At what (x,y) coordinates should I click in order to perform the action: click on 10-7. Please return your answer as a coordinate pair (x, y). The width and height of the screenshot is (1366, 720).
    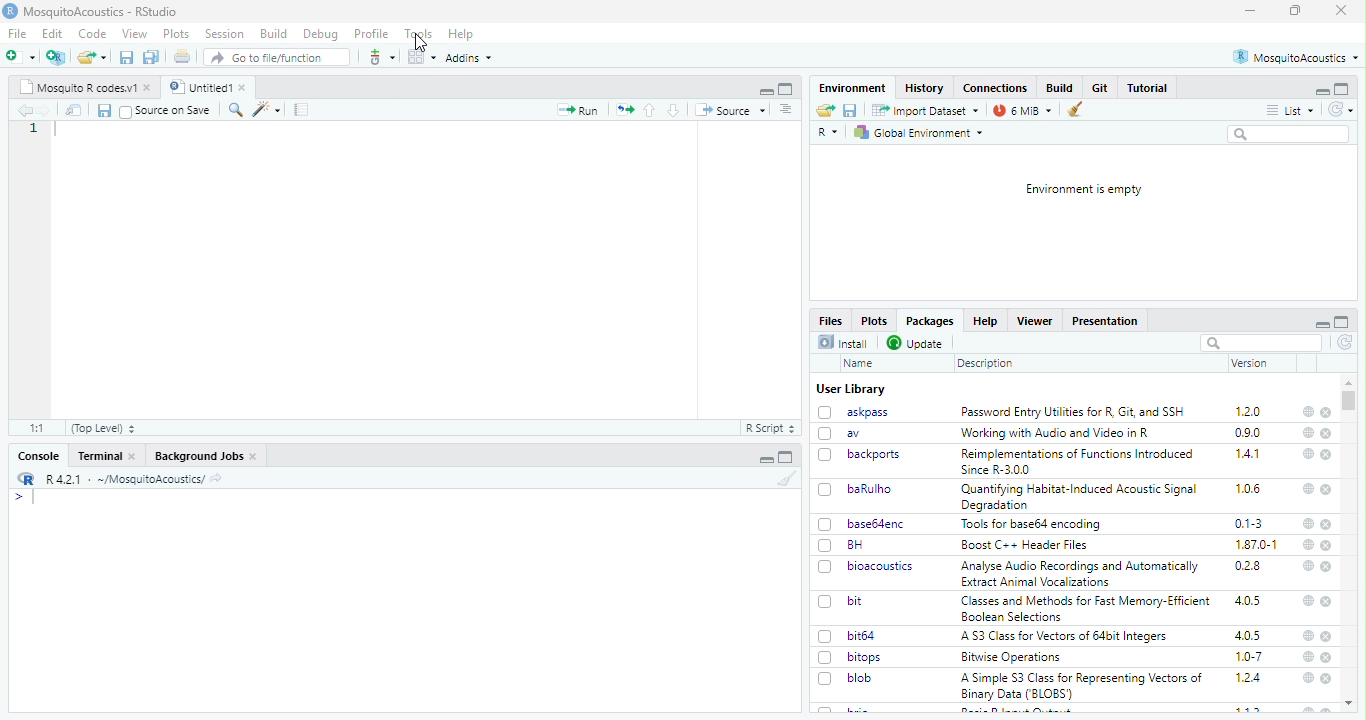
    Looking at the image, I should click on (1250, 657).